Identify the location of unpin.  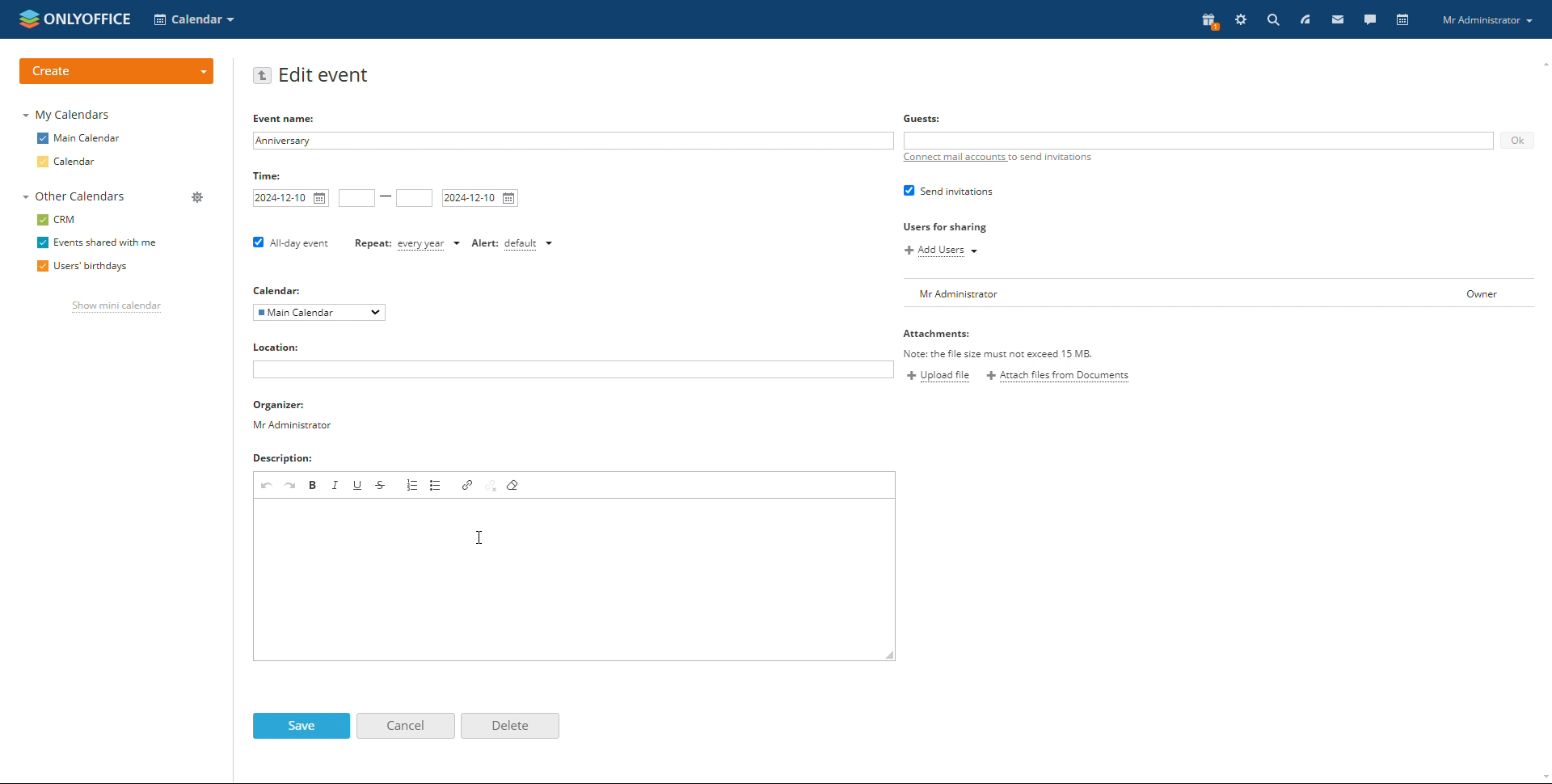
(491, 484).